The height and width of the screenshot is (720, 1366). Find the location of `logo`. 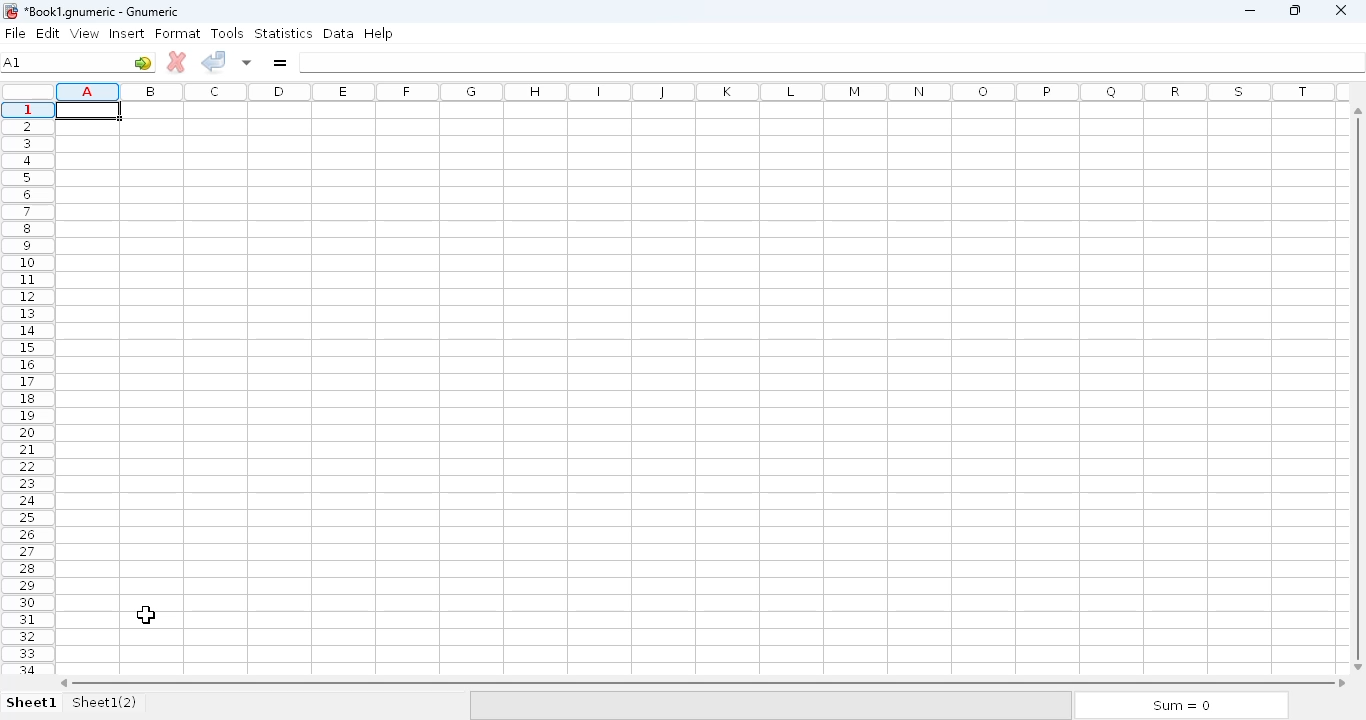

logo is located at coordinates (9, 12).